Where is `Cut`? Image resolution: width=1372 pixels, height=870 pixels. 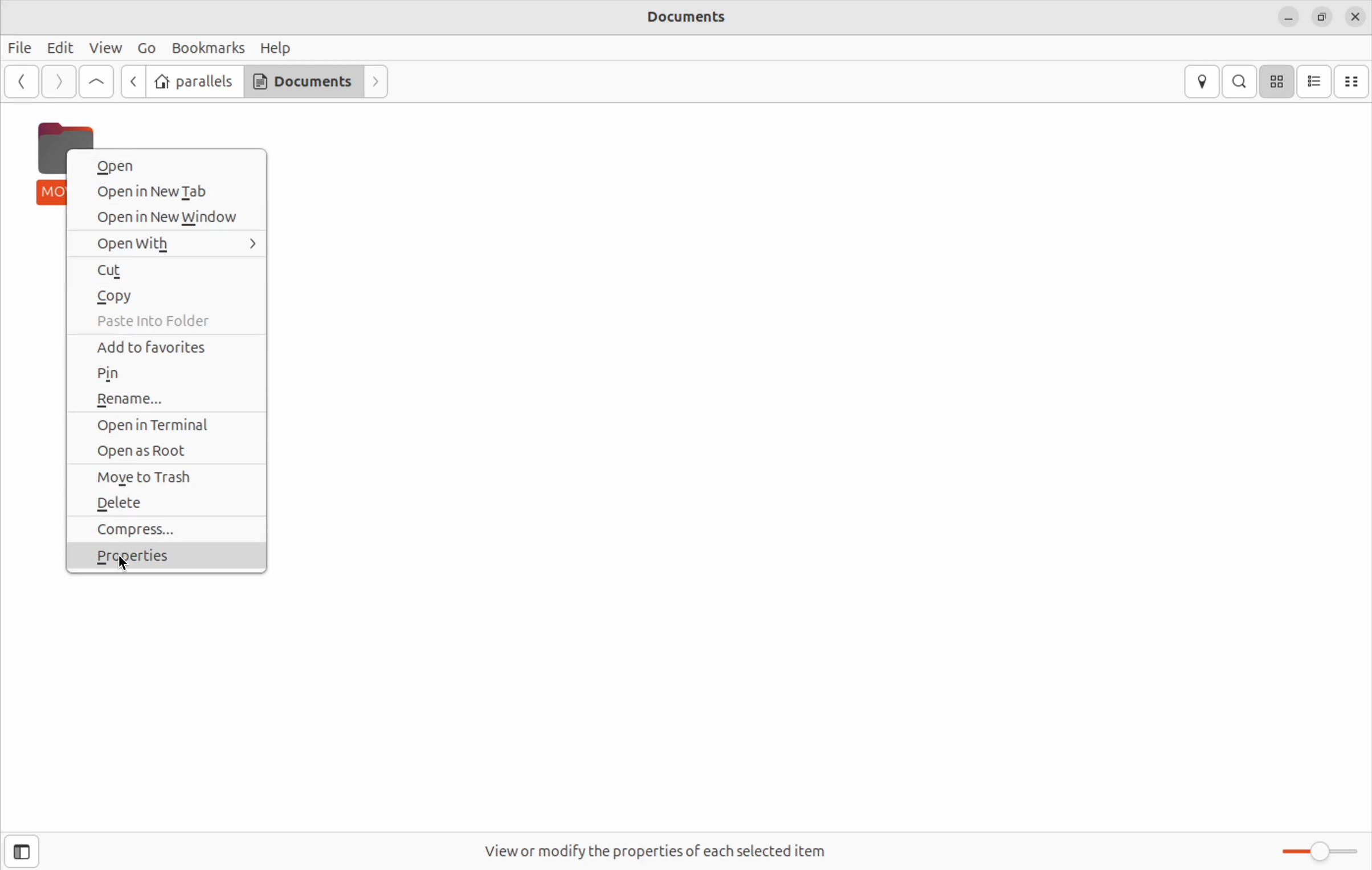 Cut is located at coordinates (166, 269).